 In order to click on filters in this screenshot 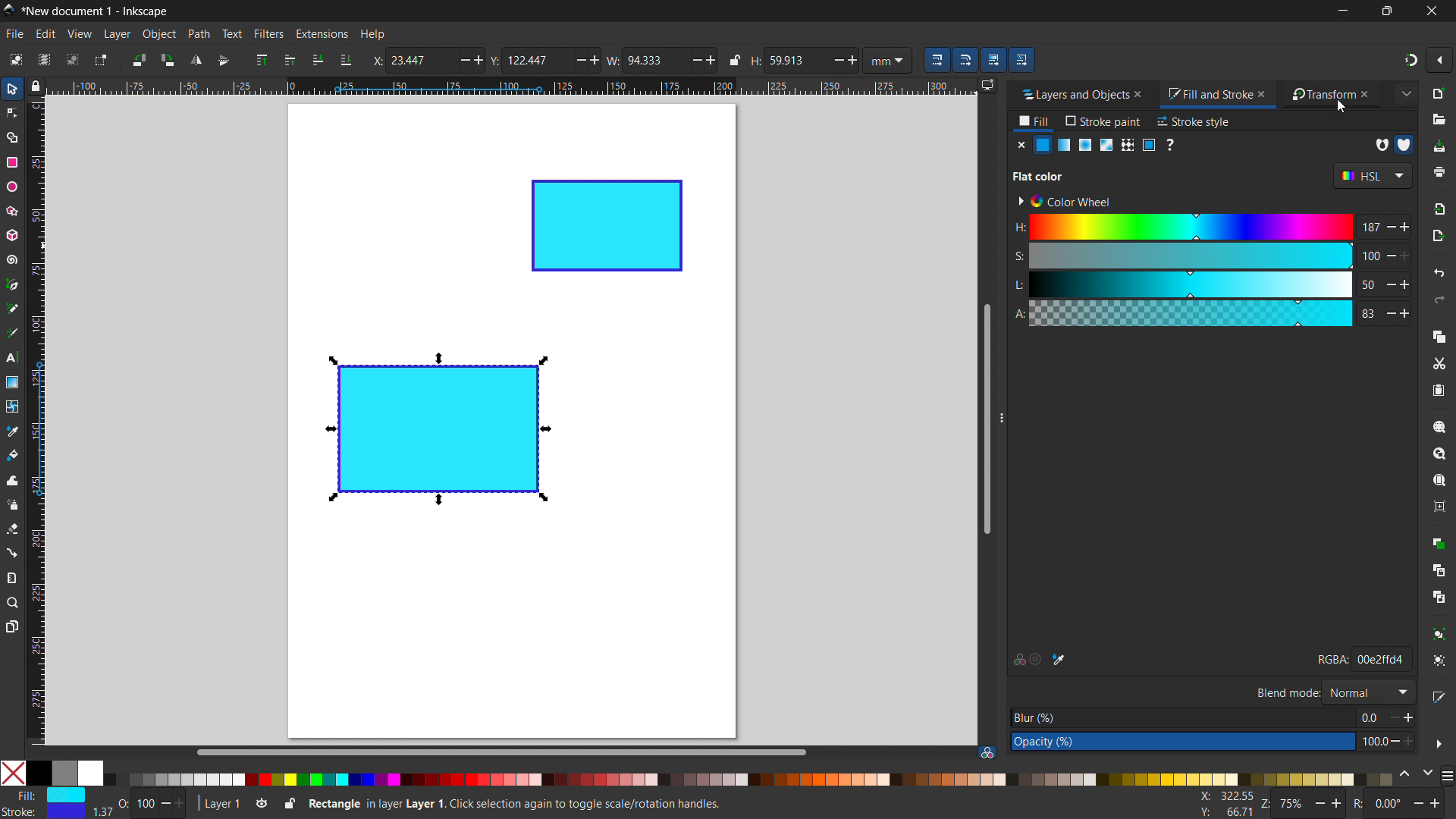, I will do `click(269, 33)`.